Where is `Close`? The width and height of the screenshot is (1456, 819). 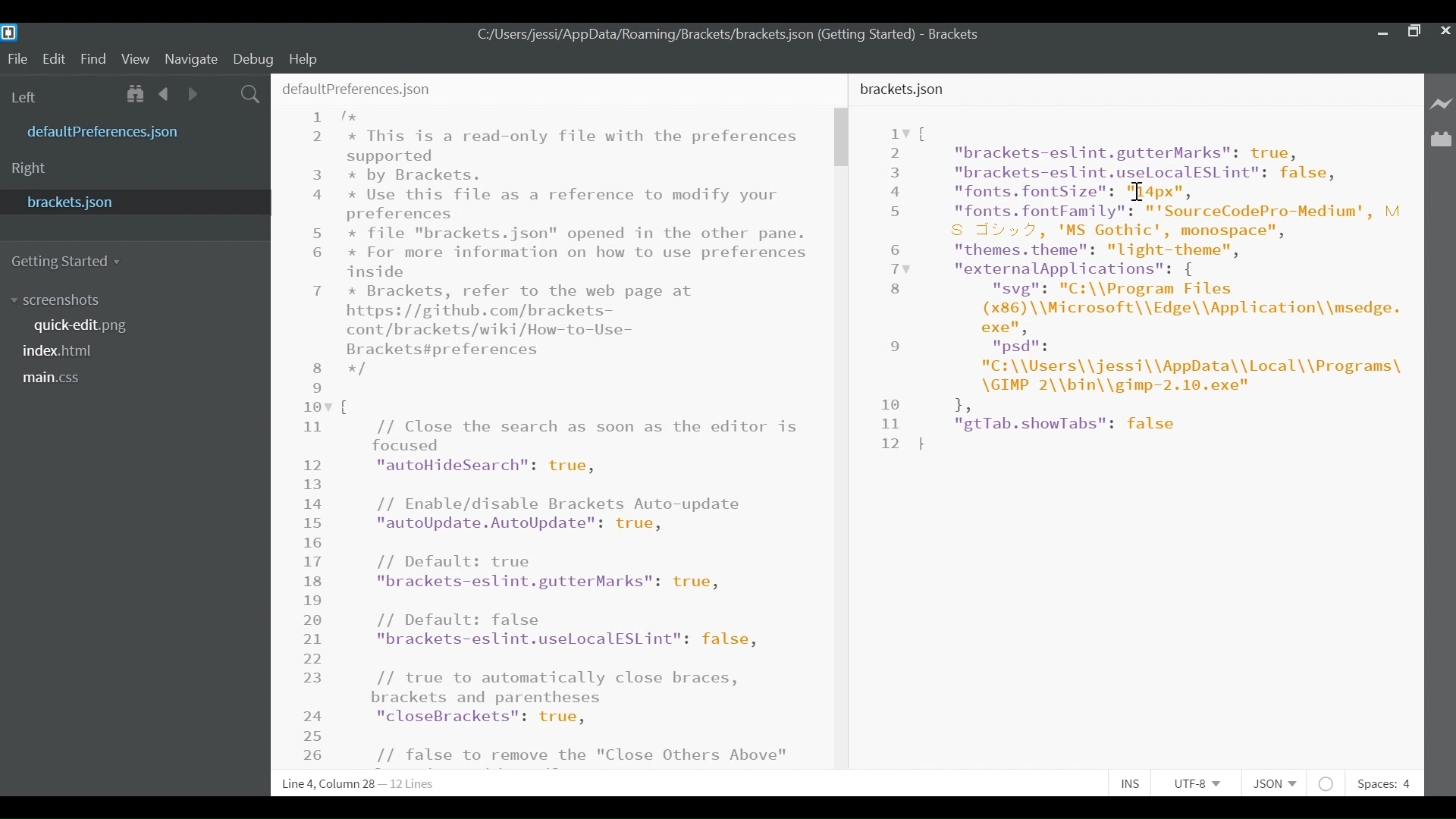 Close is located at coordinates (1444, 30).